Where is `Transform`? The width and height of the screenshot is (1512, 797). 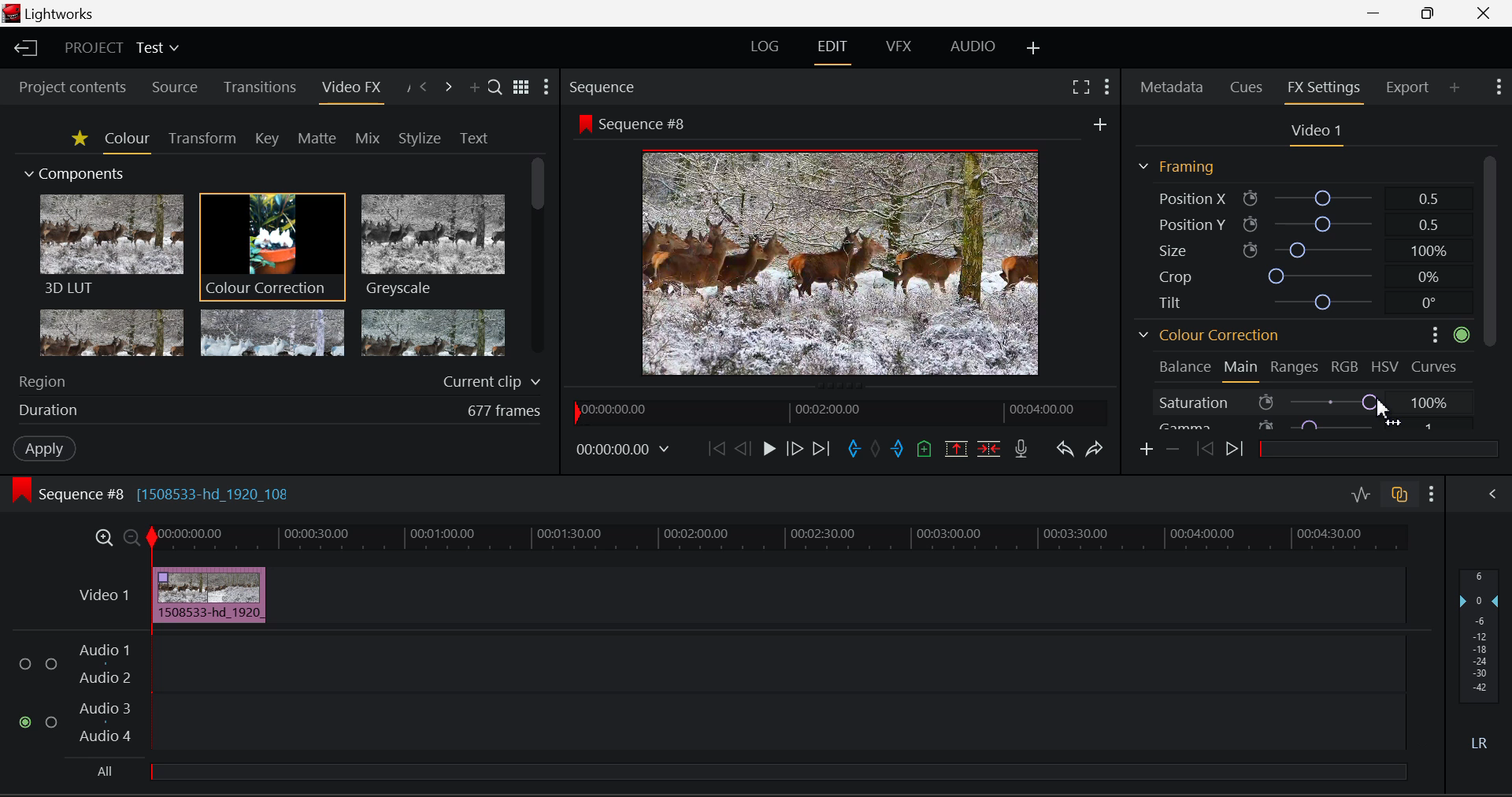 Transform is located at coordinates (202, 139).